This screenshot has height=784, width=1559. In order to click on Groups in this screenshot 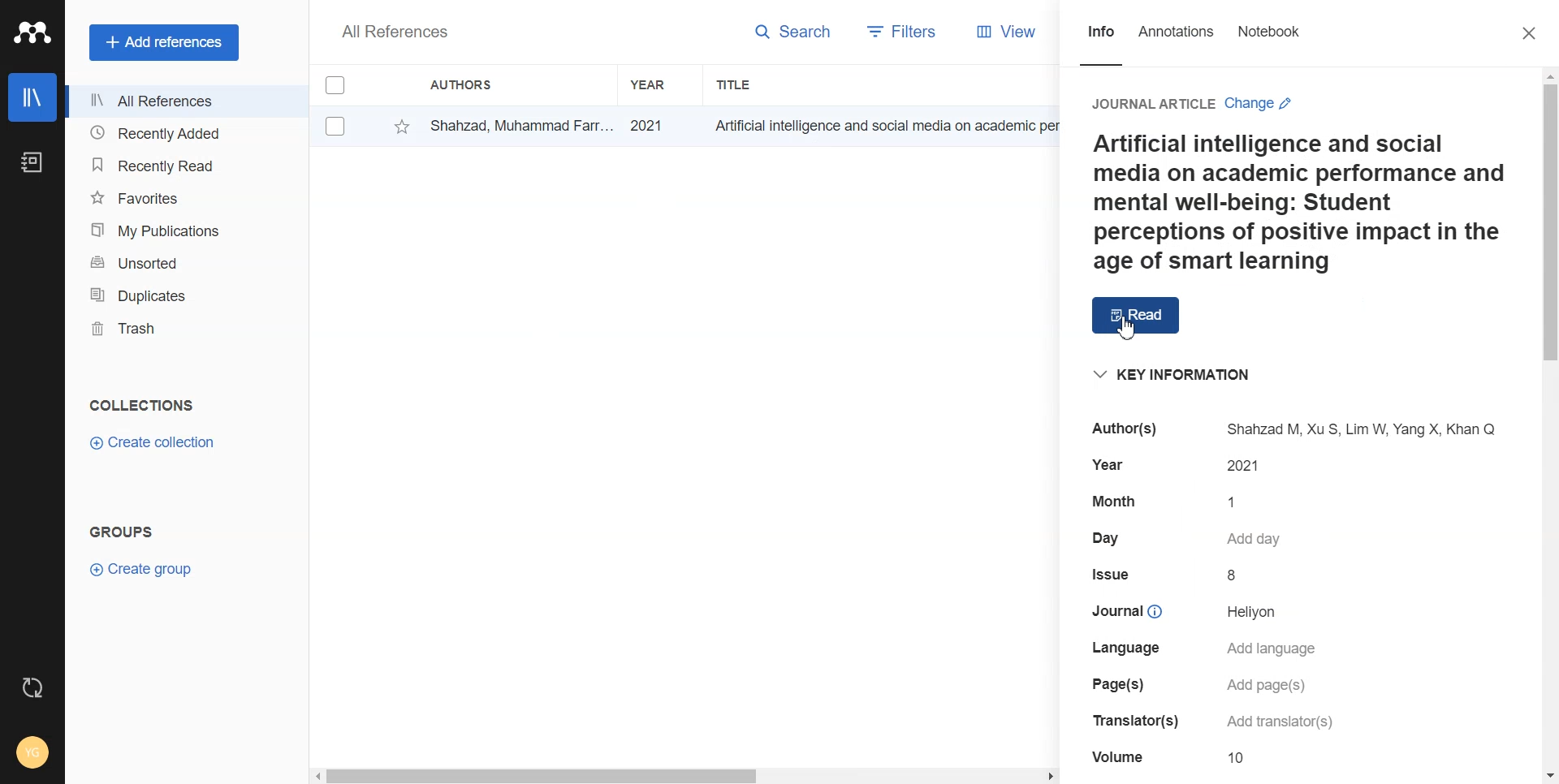, I will do `click(126, 535)`.